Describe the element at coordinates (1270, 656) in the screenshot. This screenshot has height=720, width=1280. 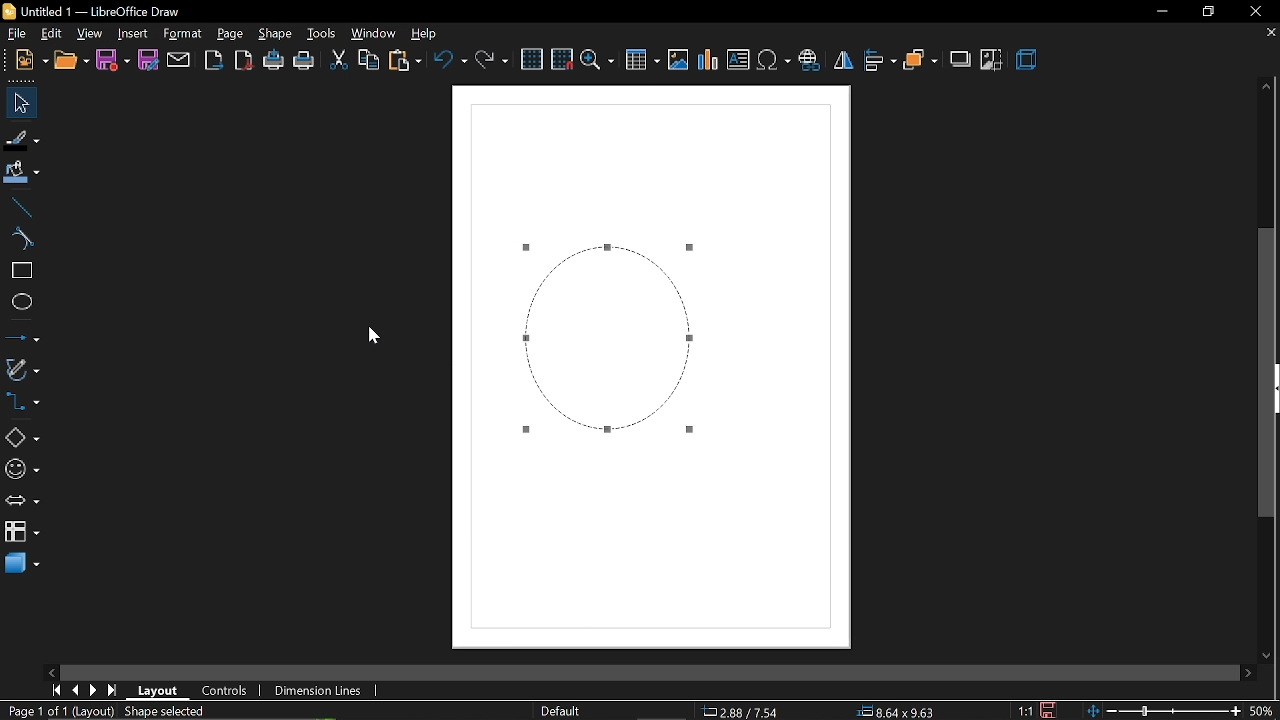
I see `move down` at that location.